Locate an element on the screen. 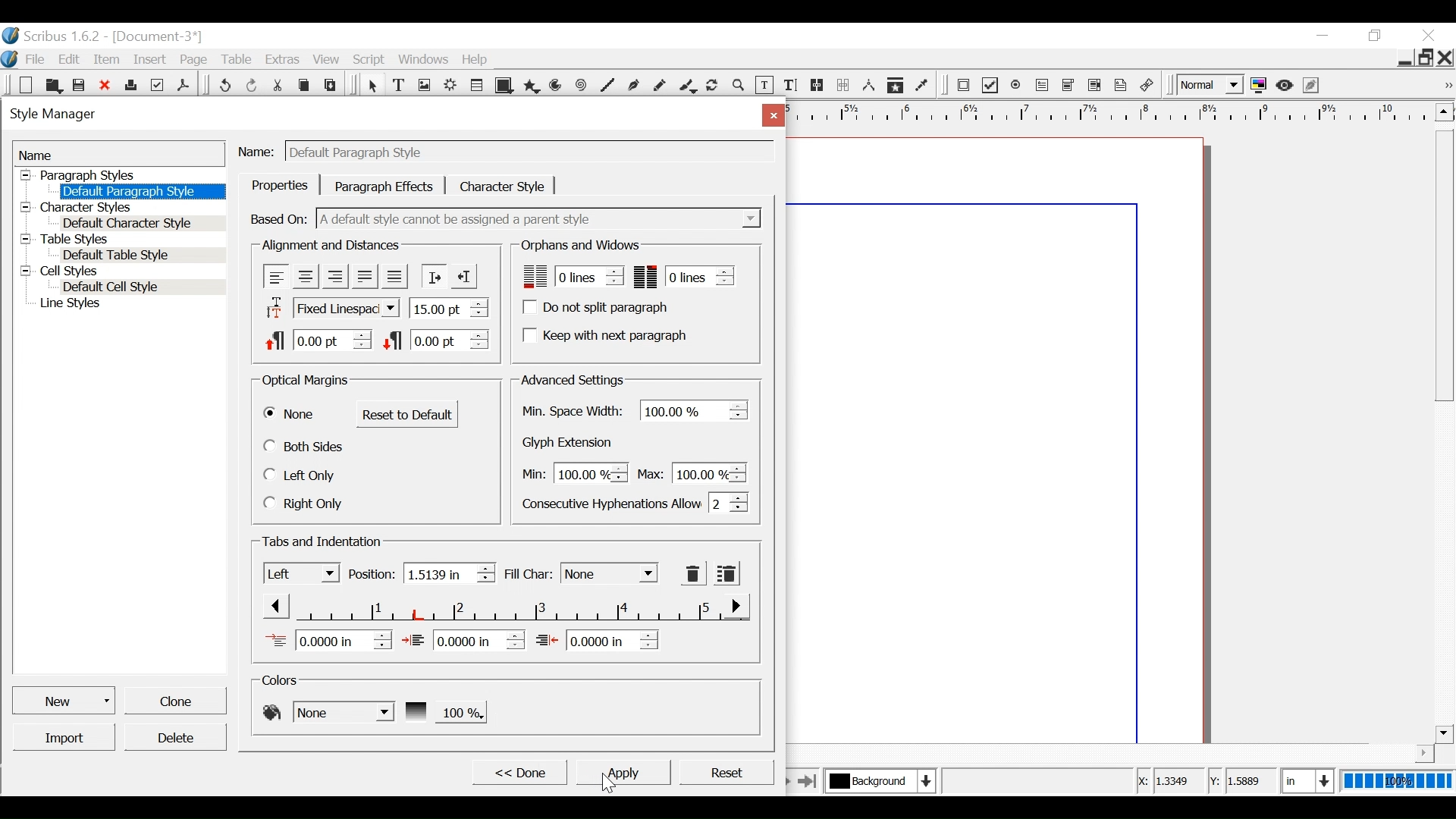 The width and height of the screenshot is (1456, 819). Optical Margins is located at coordinates (306, 381).